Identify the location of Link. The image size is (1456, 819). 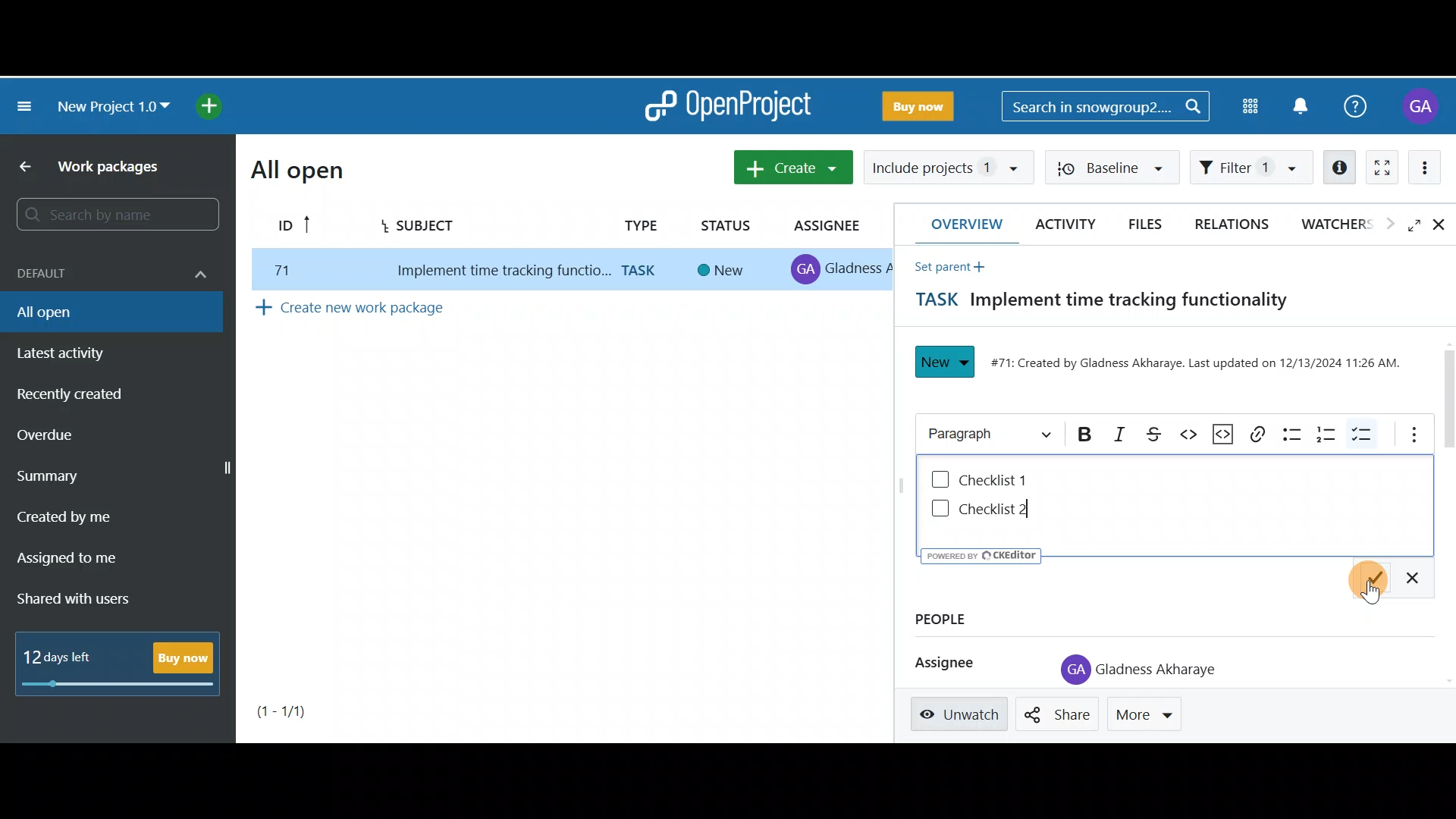
(1259, 432).